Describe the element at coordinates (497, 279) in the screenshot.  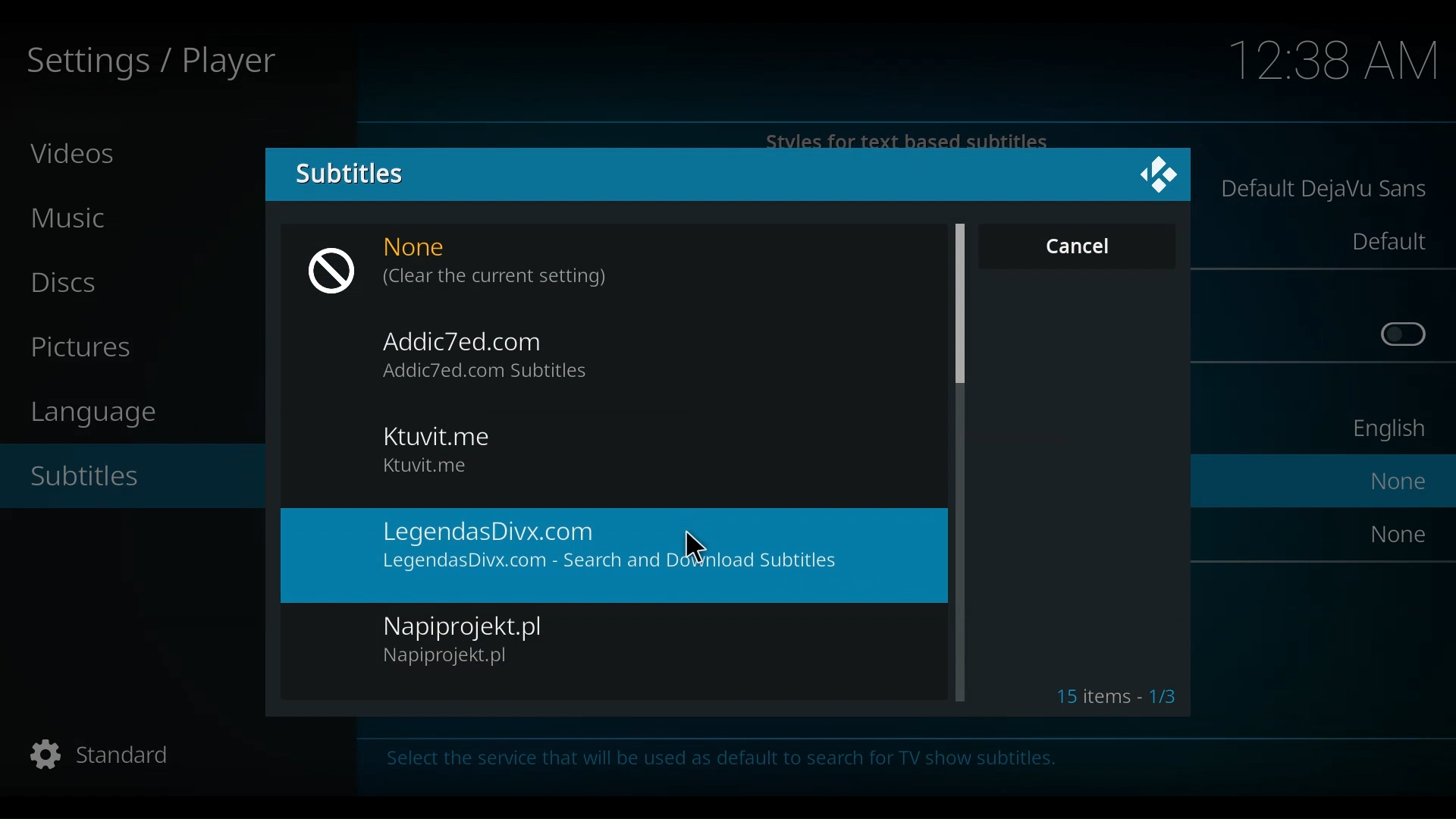
I see `Clear the current setting` at that location.